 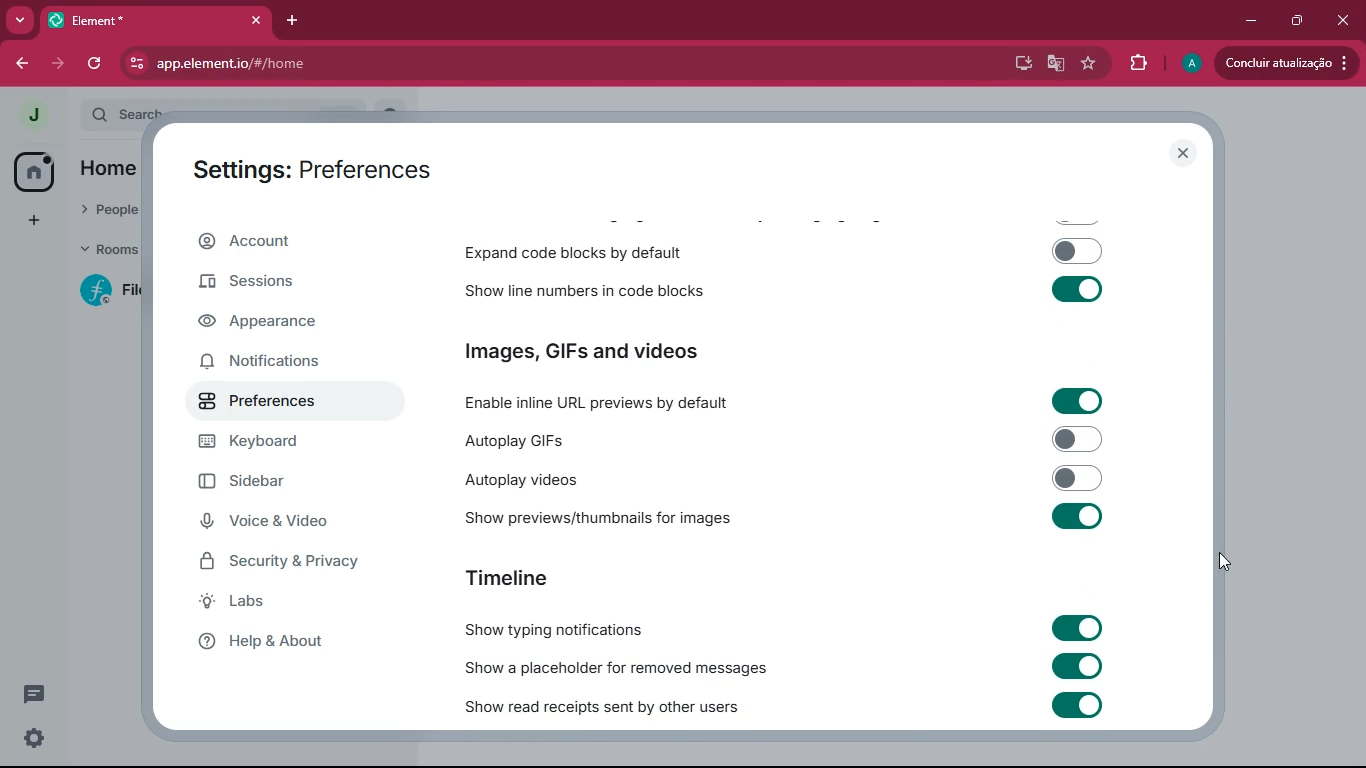 What do you see at coordinates (1077, 289) in the screenshot?
I see `toggle on/off` at bounding box center [1077, 289].